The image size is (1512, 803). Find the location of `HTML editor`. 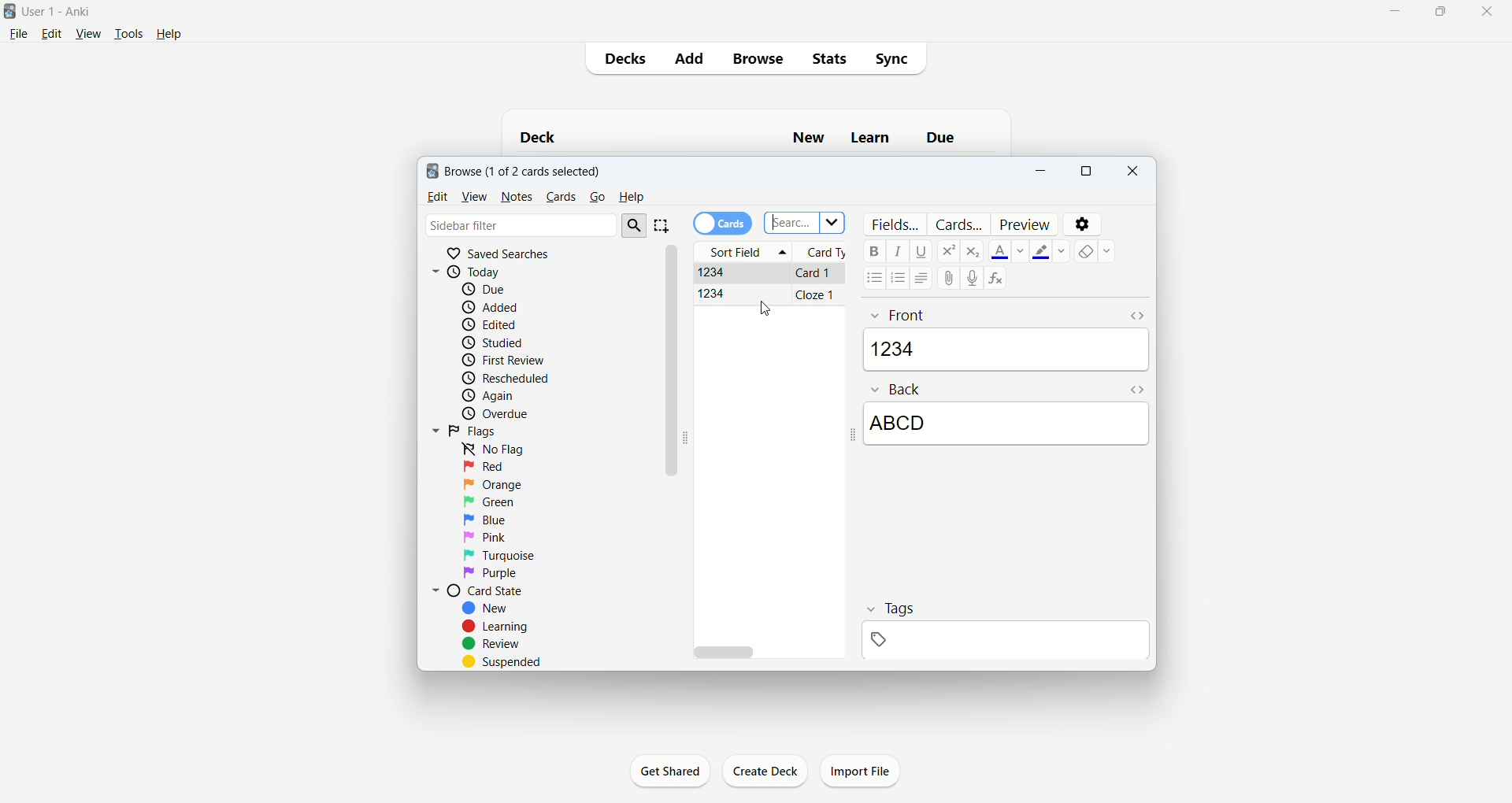

HTML editor is located at coordinates (1138, 314).